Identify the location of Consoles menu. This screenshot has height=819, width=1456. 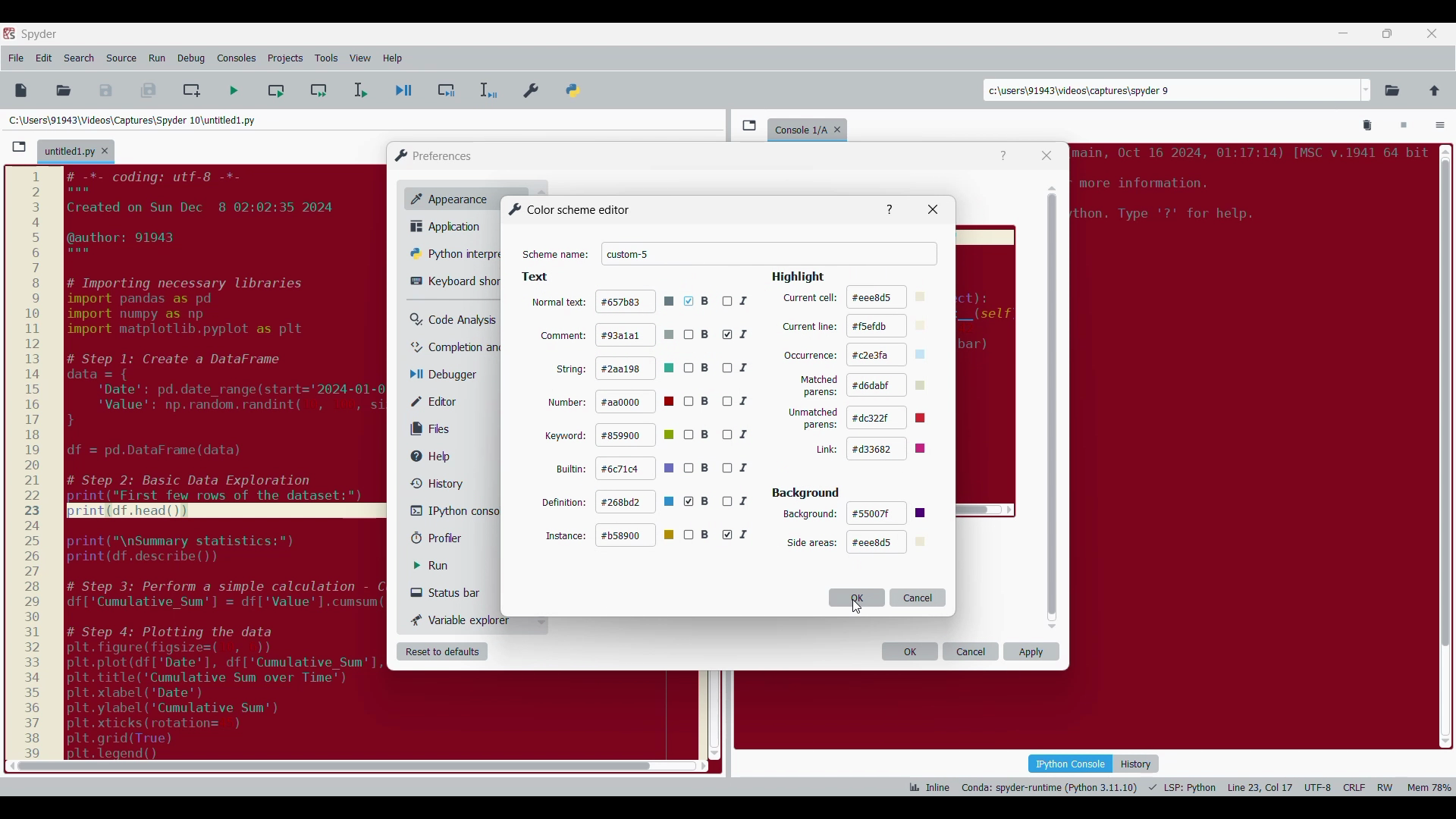
(237, 58).